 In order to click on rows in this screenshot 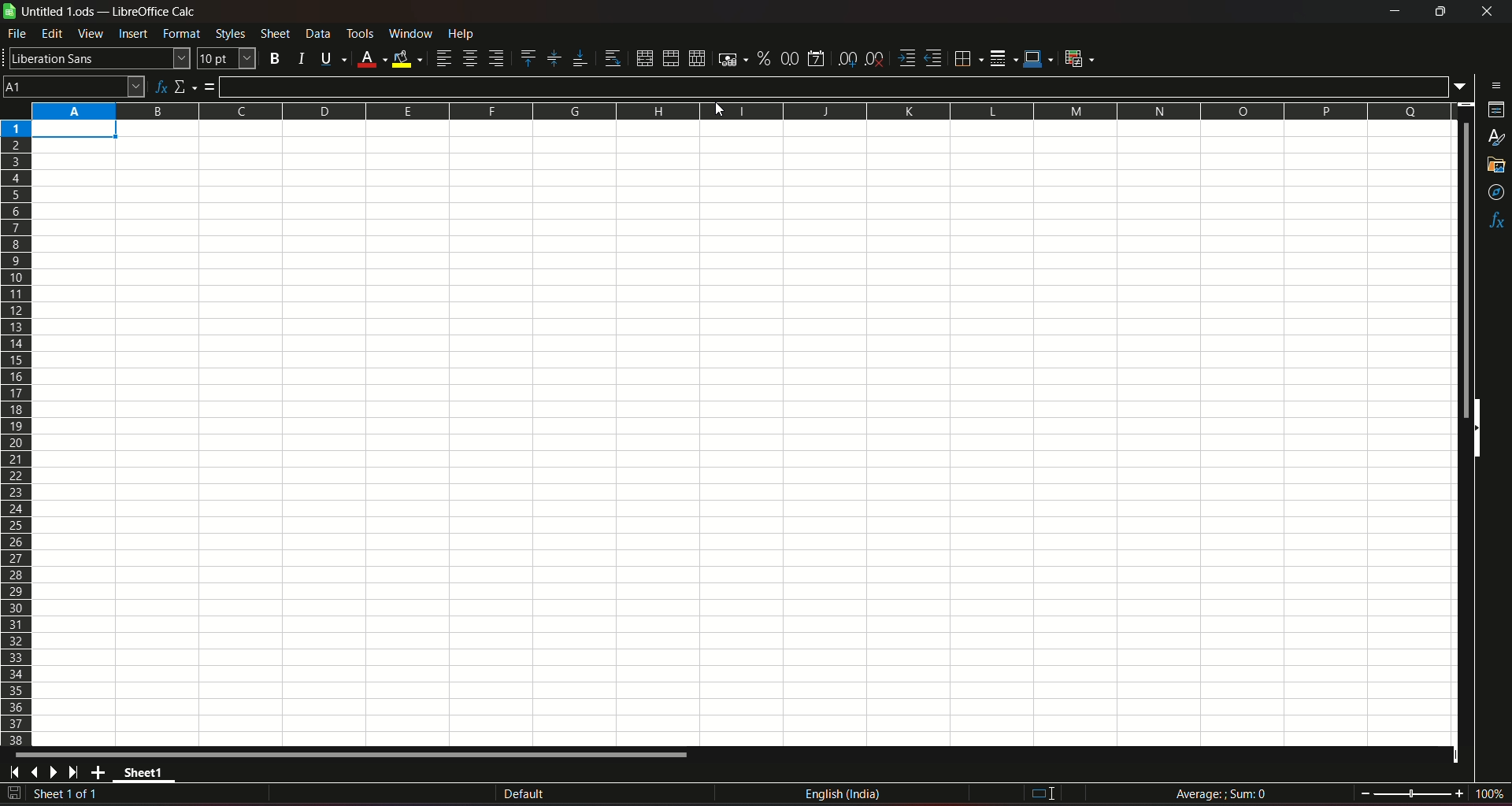, I will do `click(16, 433)`.